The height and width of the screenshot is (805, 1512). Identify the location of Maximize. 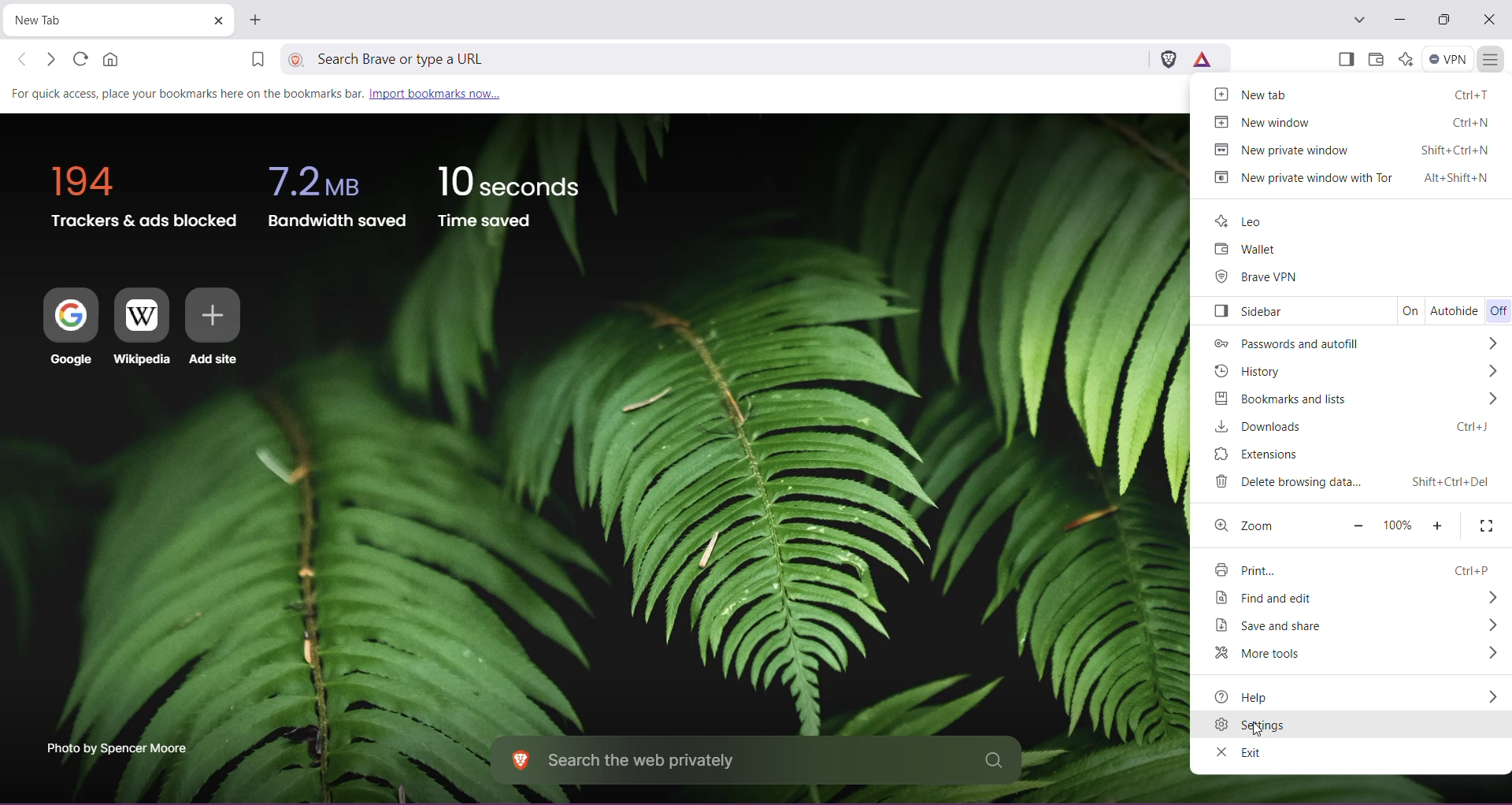
(1443, 21).